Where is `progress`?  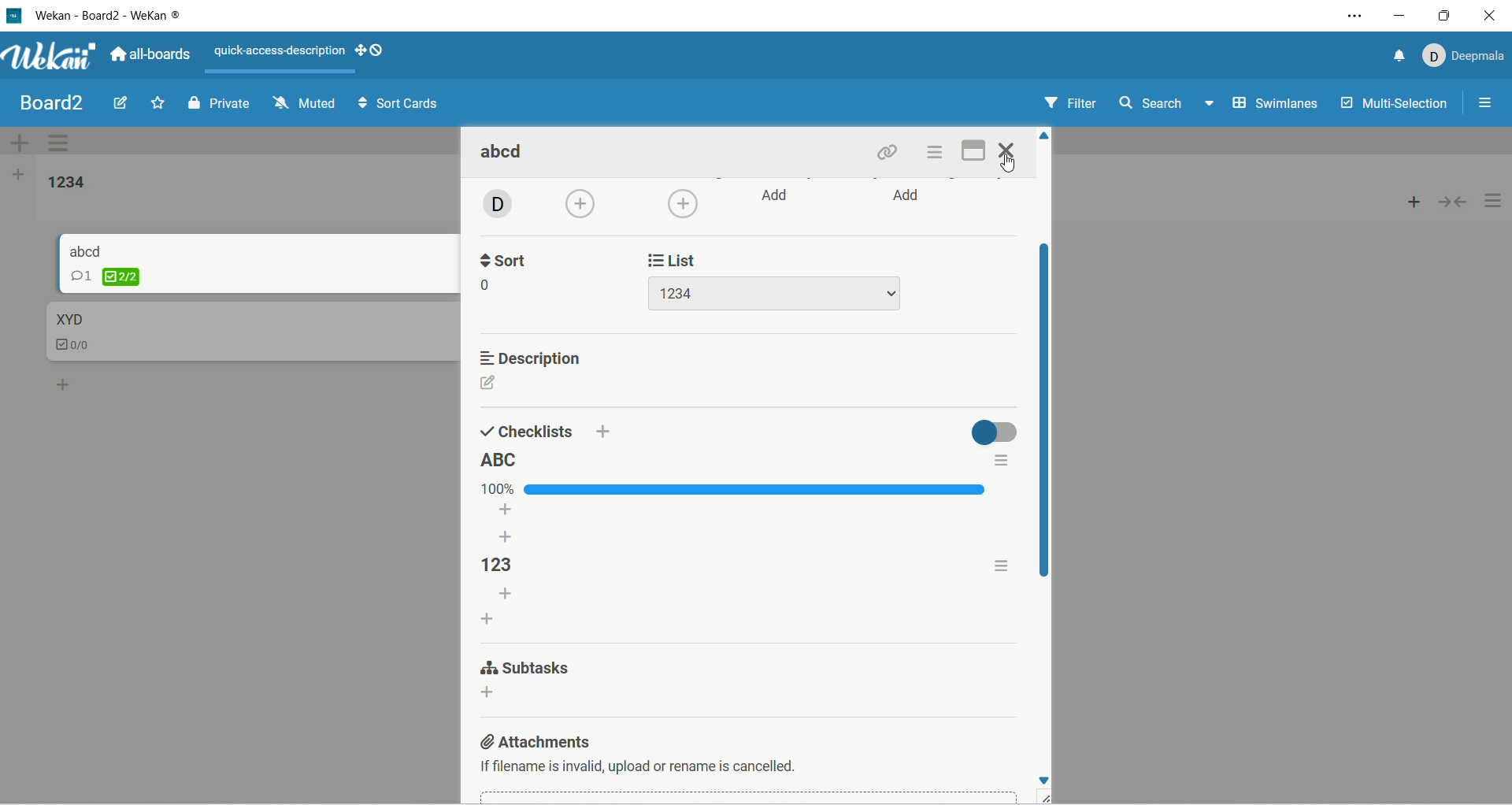
progress is located at coordinates (736, 489).